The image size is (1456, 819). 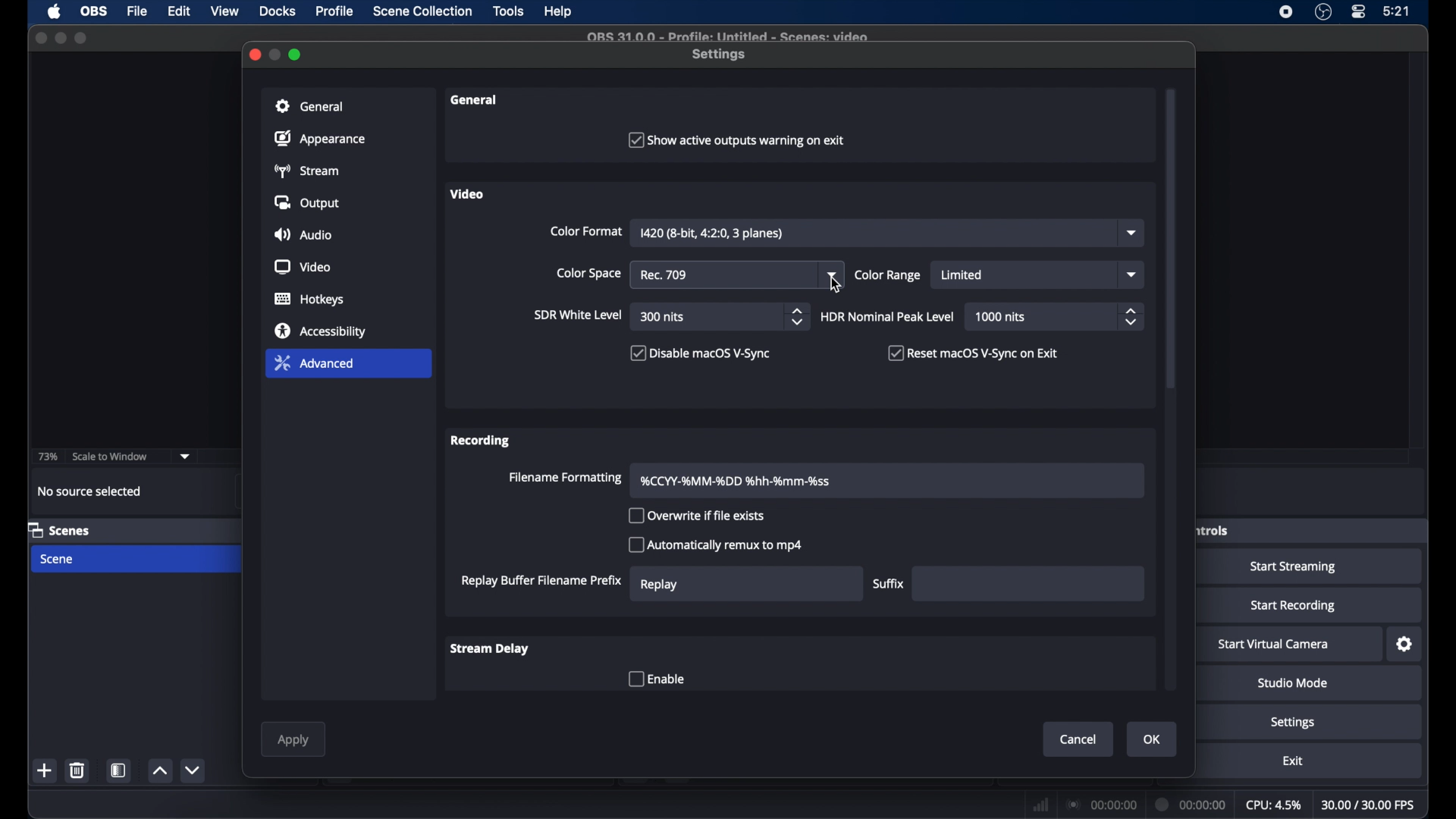 I want to click on docks, so click(x=278, y=11).